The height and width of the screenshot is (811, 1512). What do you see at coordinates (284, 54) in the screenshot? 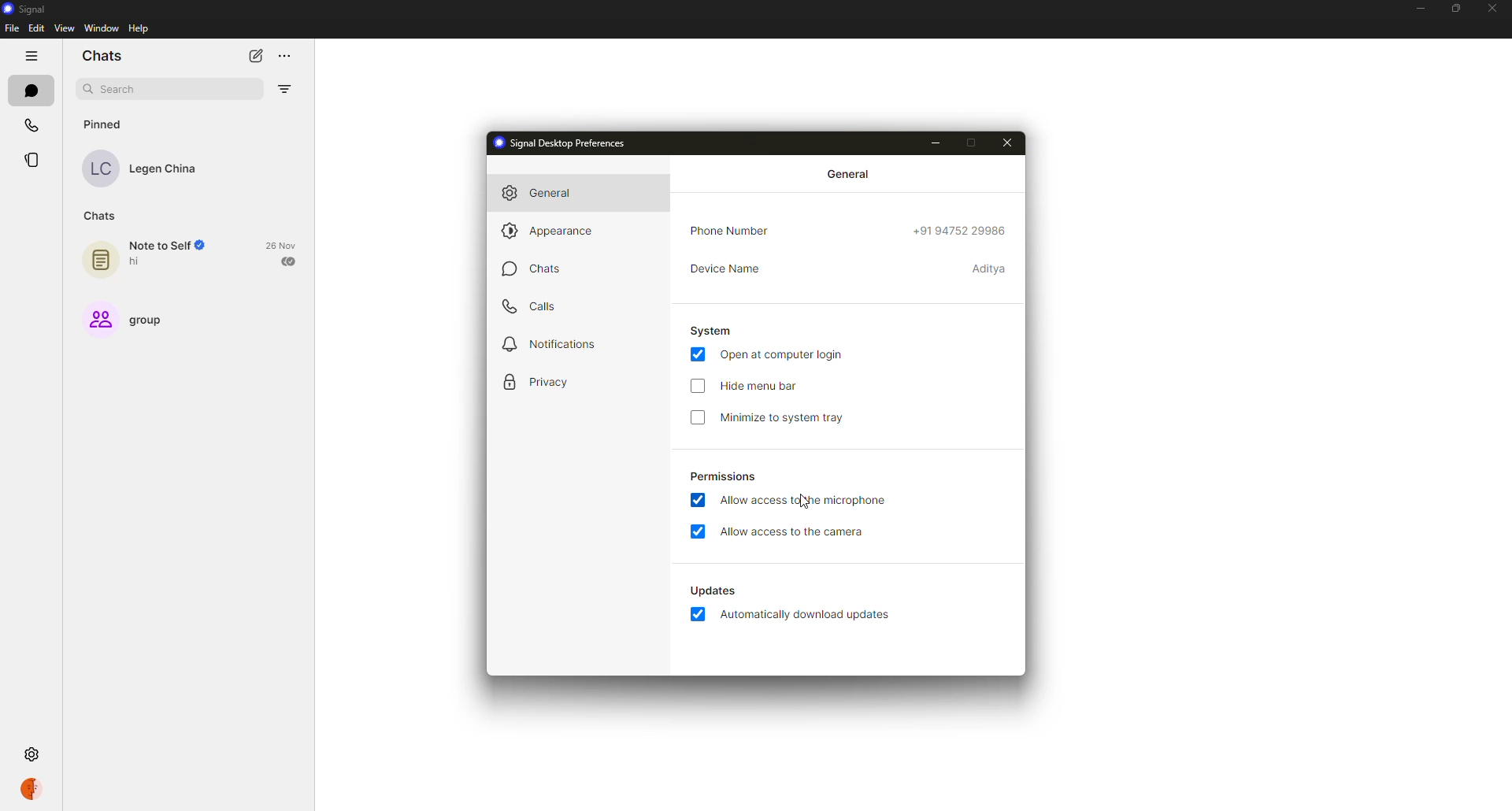
I see `more` at bounding box center [284, 54].